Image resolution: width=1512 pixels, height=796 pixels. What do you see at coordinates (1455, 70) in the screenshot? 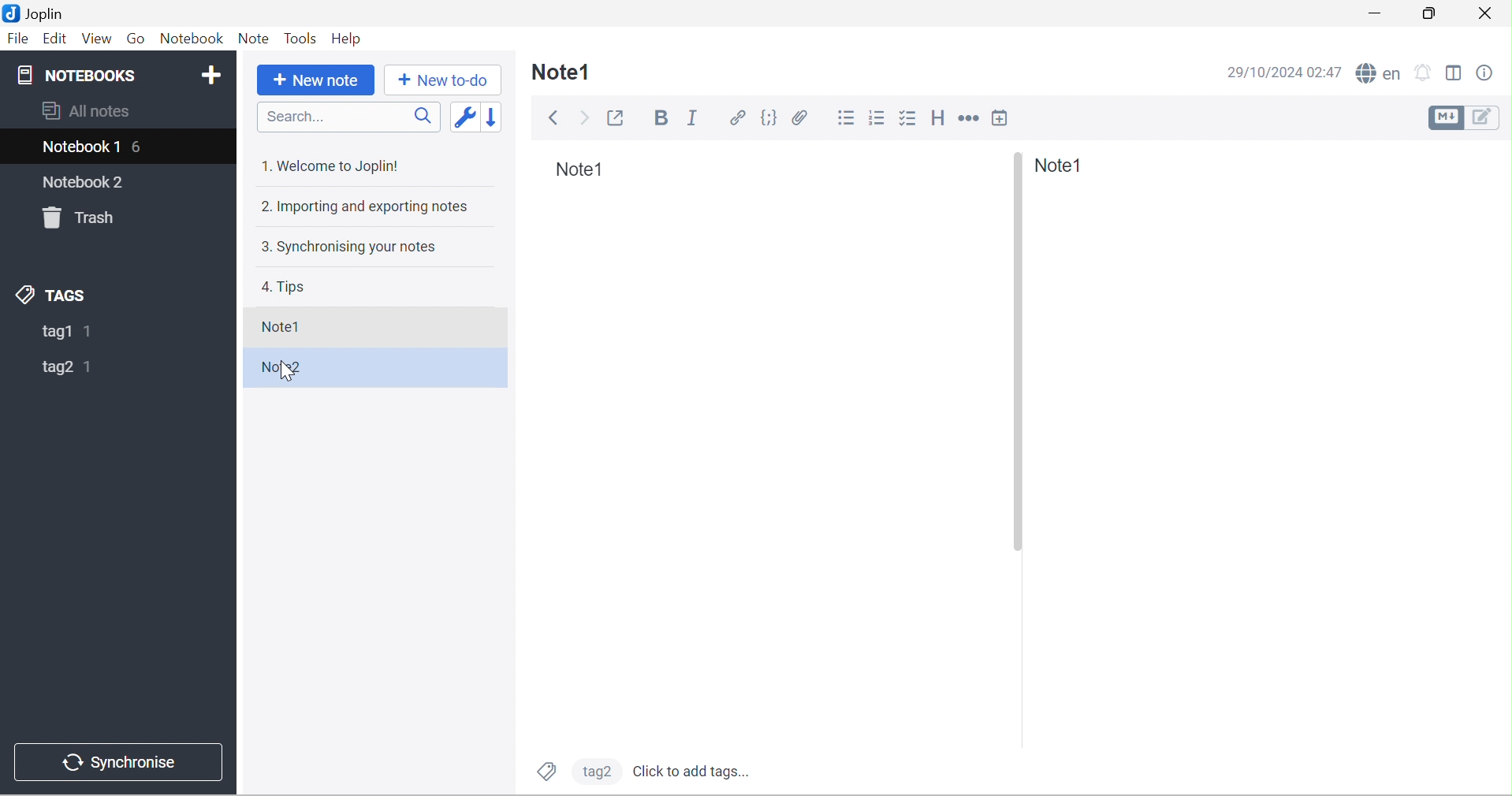
I see `Toggle editor layout` at bounding box center [1455, 70].